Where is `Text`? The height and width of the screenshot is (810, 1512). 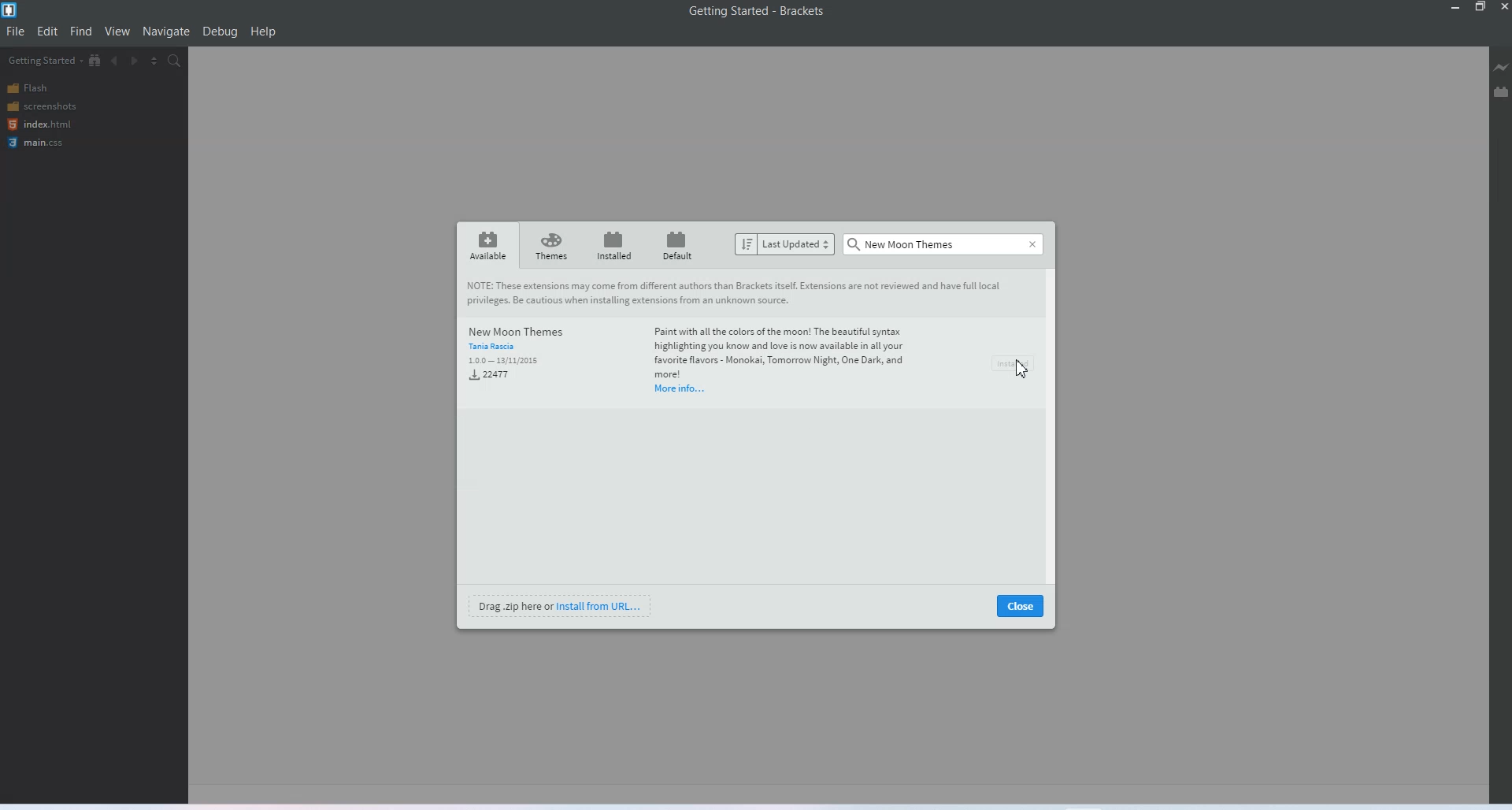
Text is located at coordinates (903, 242).